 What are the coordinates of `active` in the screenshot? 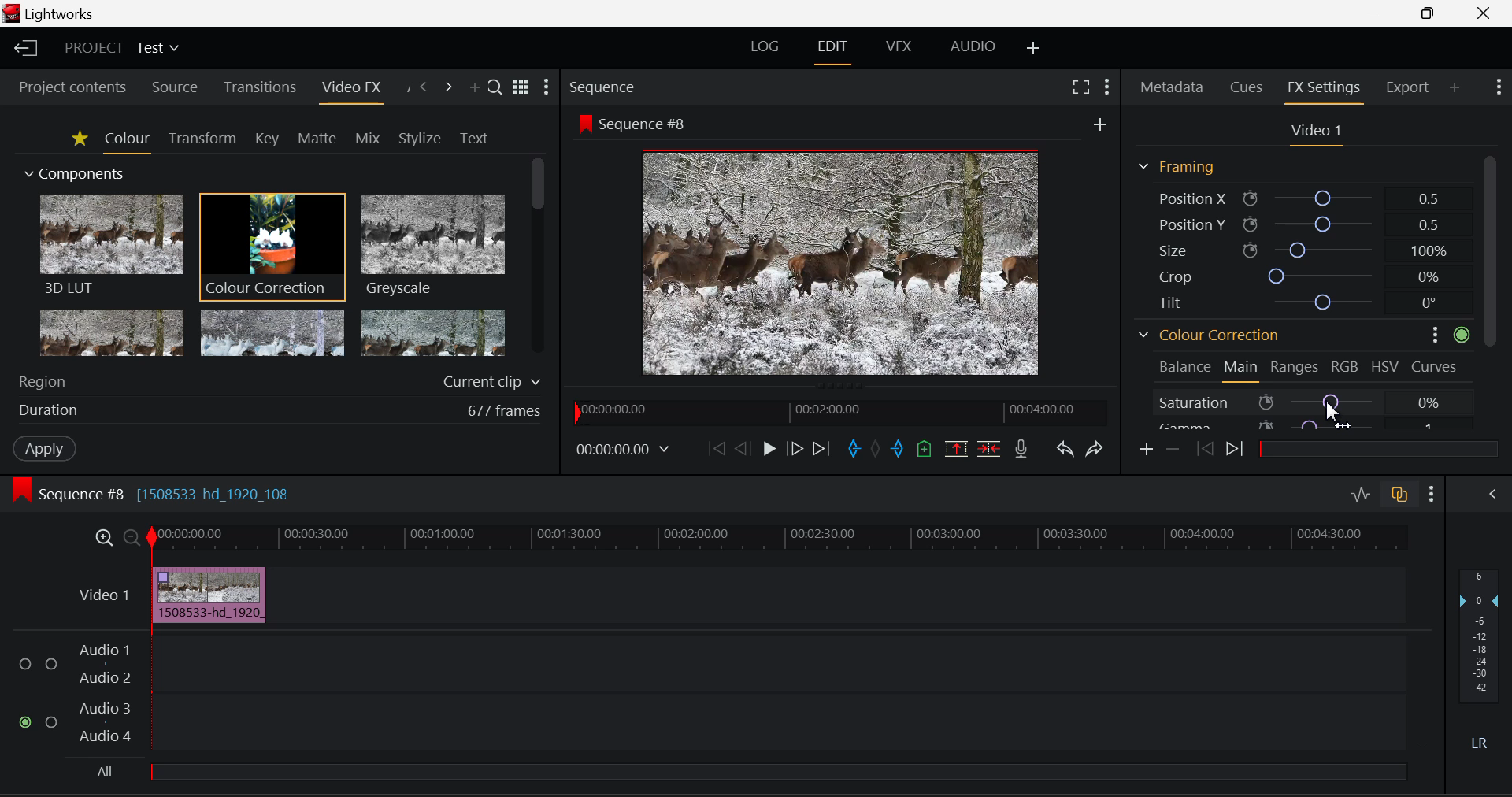 It's located at (1462, 334).